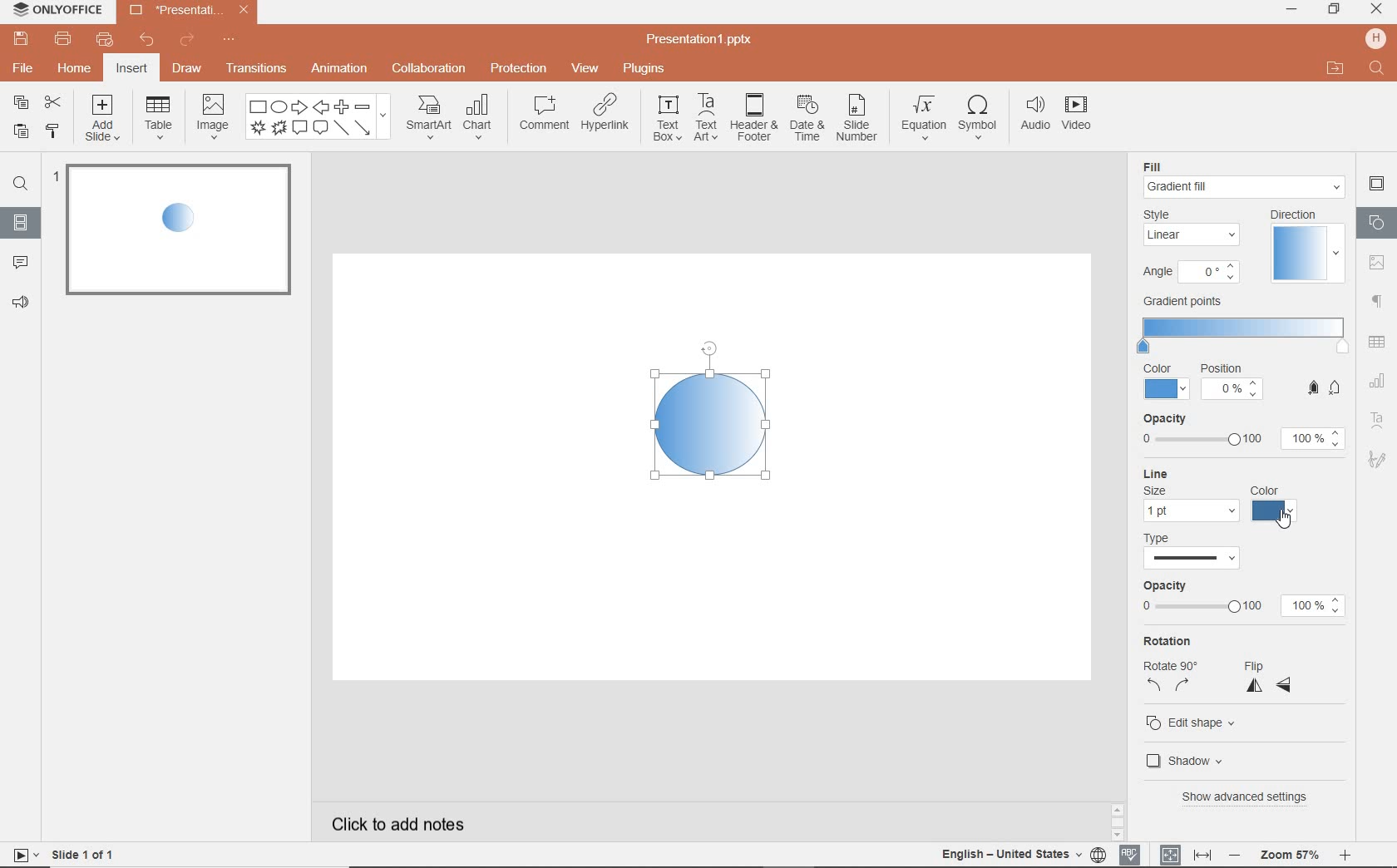  What do you see at coordinates (318, 117) in the screenshot?
I see `shapes` at bounding box center [318, 117].